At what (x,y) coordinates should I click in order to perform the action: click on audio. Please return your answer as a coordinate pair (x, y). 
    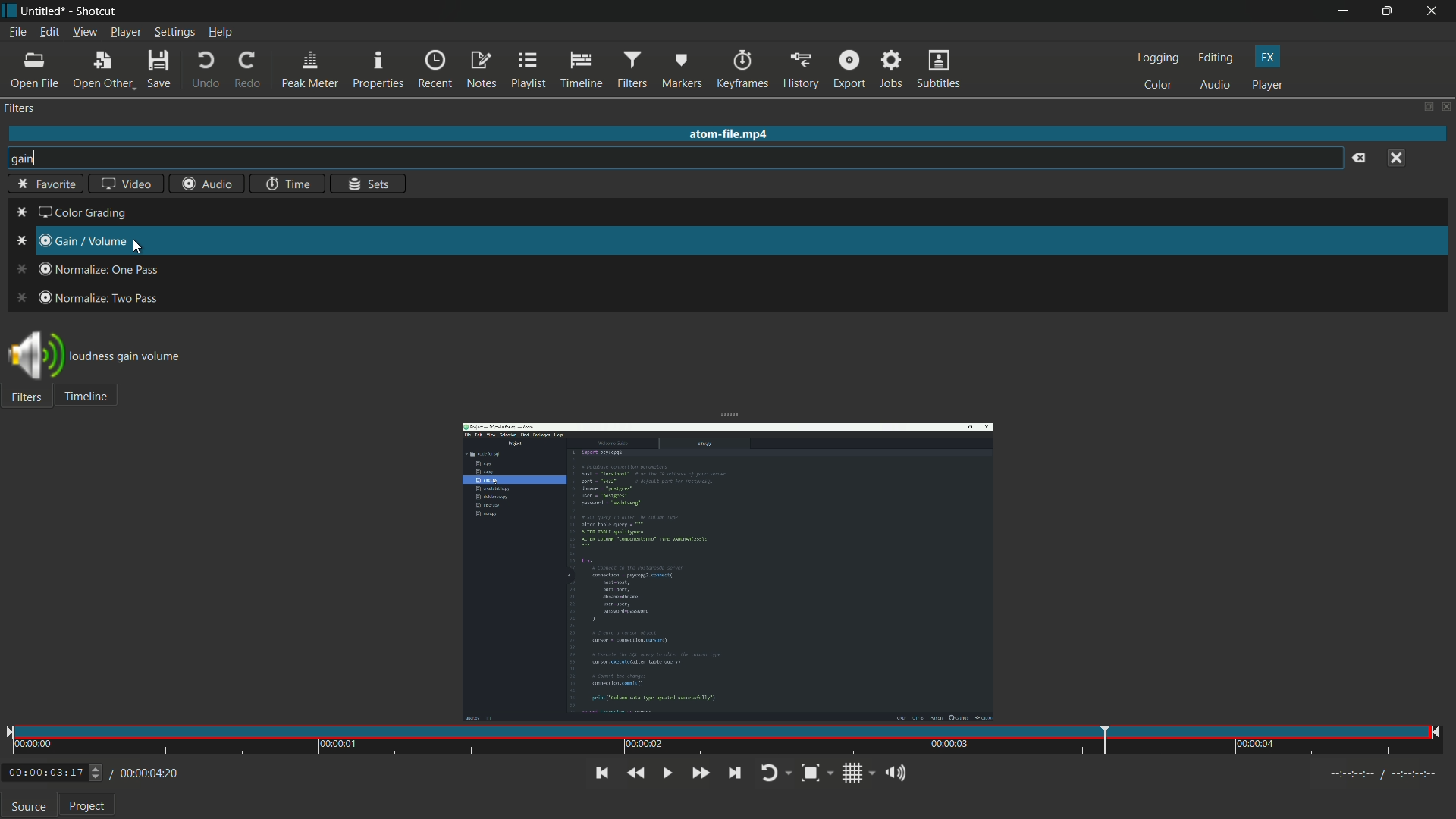
    Looking at the image, I should click on (1216, 86).